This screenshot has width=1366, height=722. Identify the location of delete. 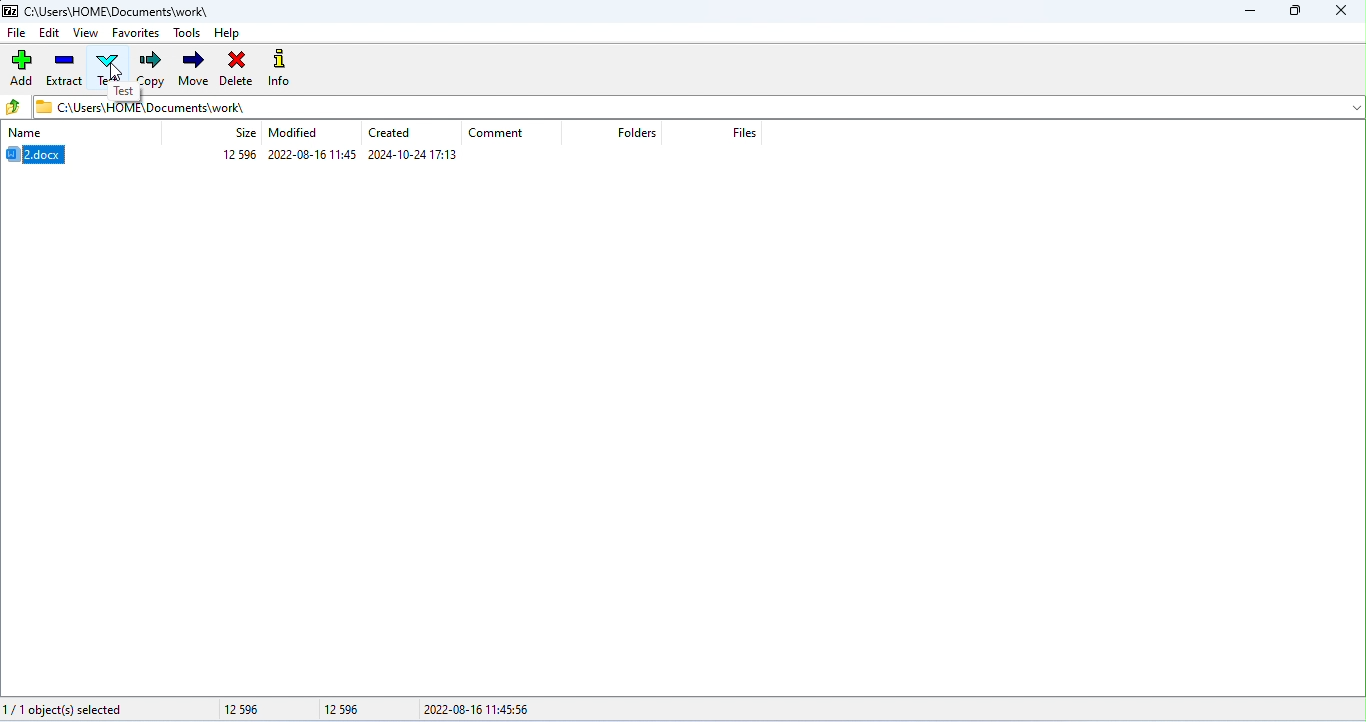
(236, 68).